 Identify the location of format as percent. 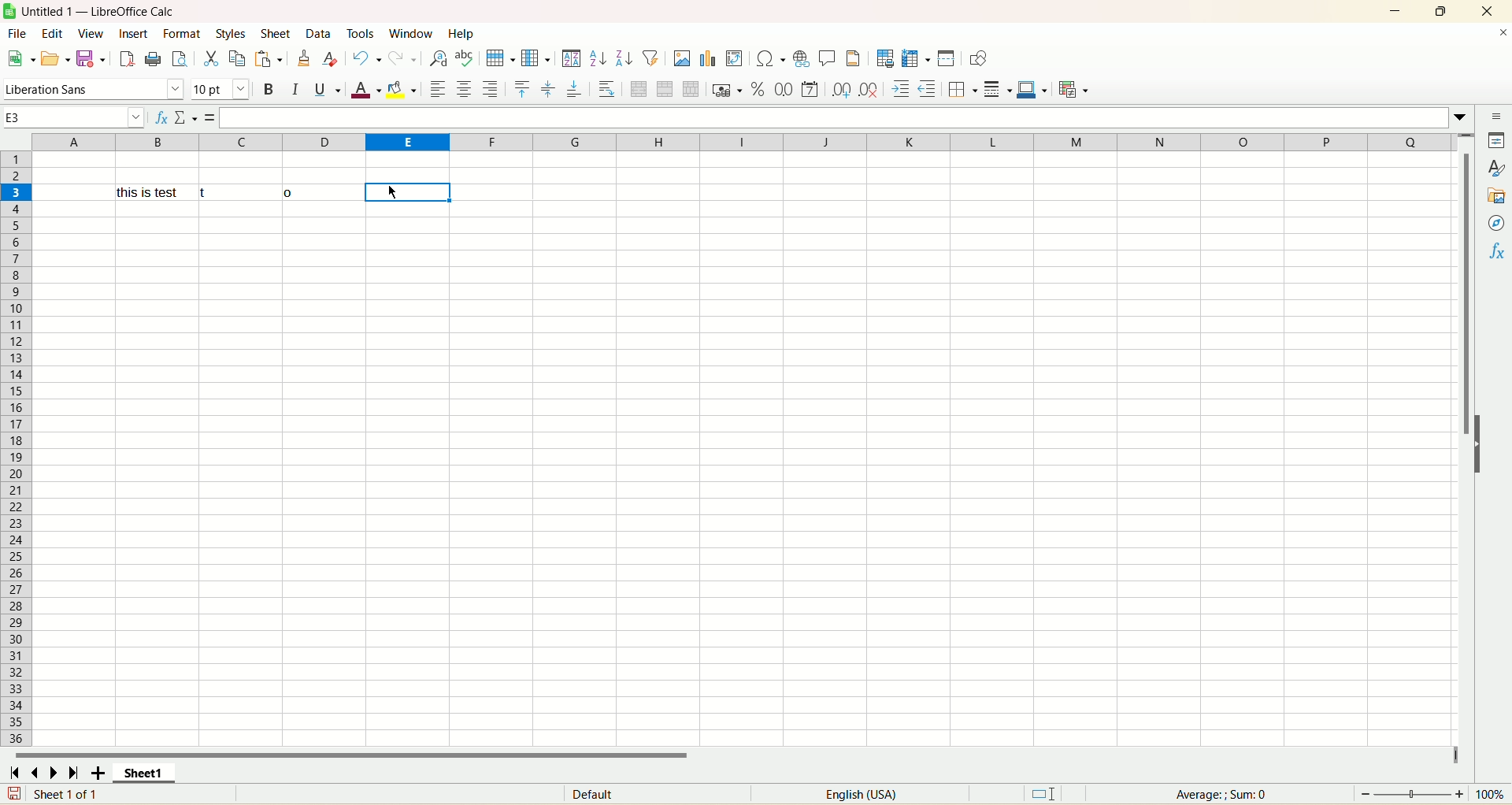
(759, 91).